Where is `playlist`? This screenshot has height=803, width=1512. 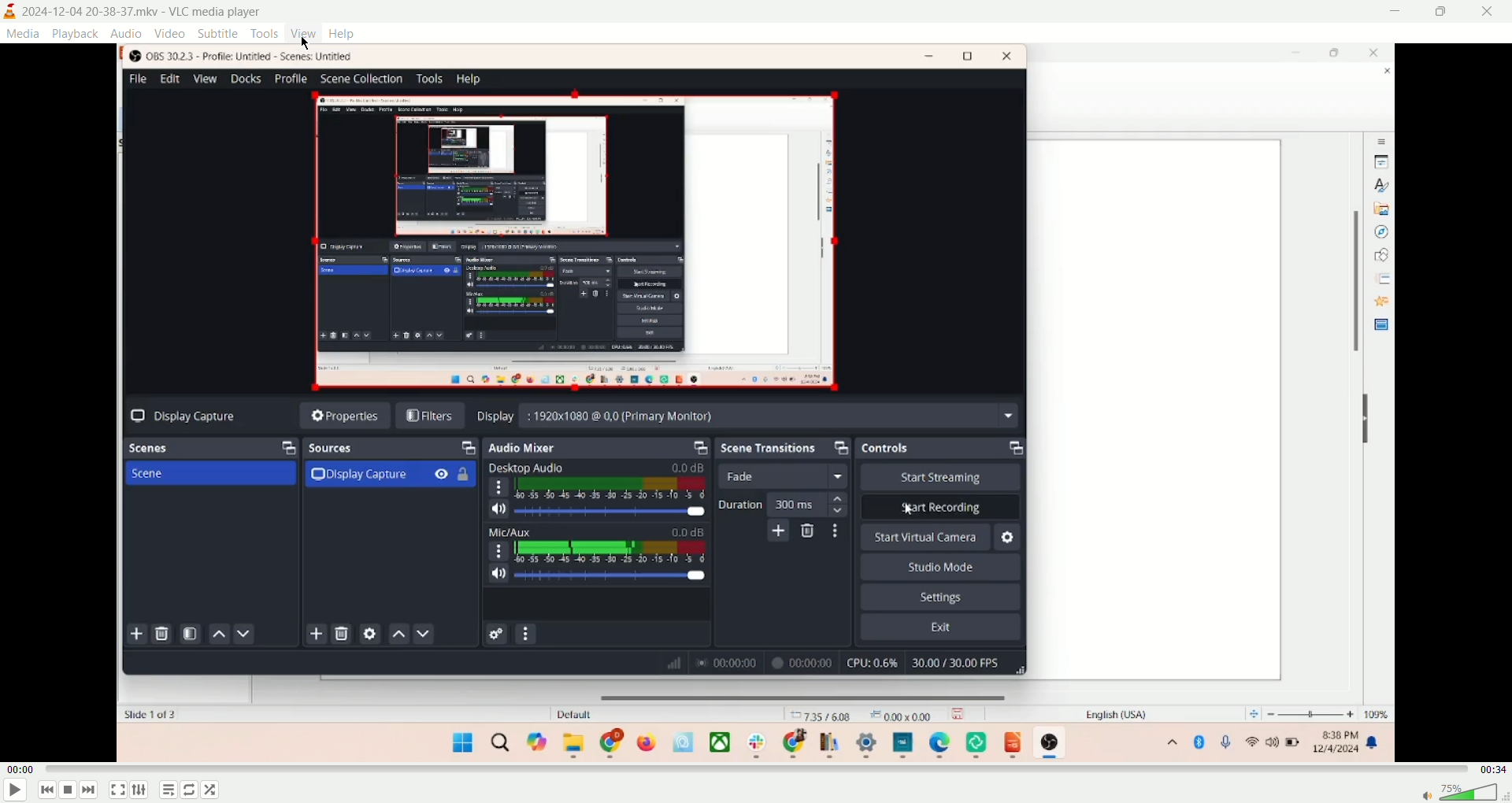
playlist is located at coordinates (166, 790).